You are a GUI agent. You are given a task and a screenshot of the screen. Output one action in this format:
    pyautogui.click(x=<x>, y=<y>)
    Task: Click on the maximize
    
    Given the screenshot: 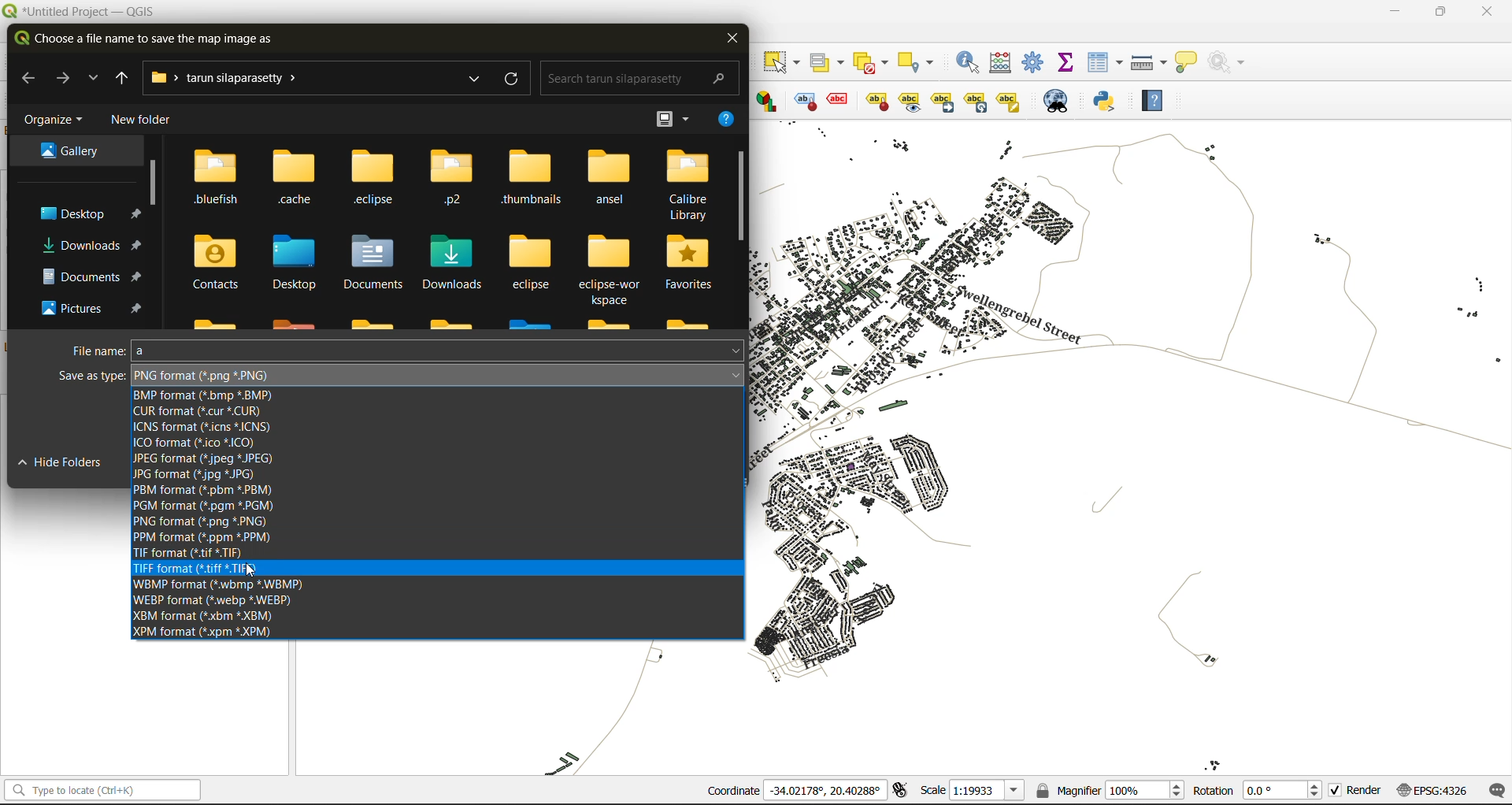 What is the action you would take?
    pyautogui.click(x=1441, y=12)
    